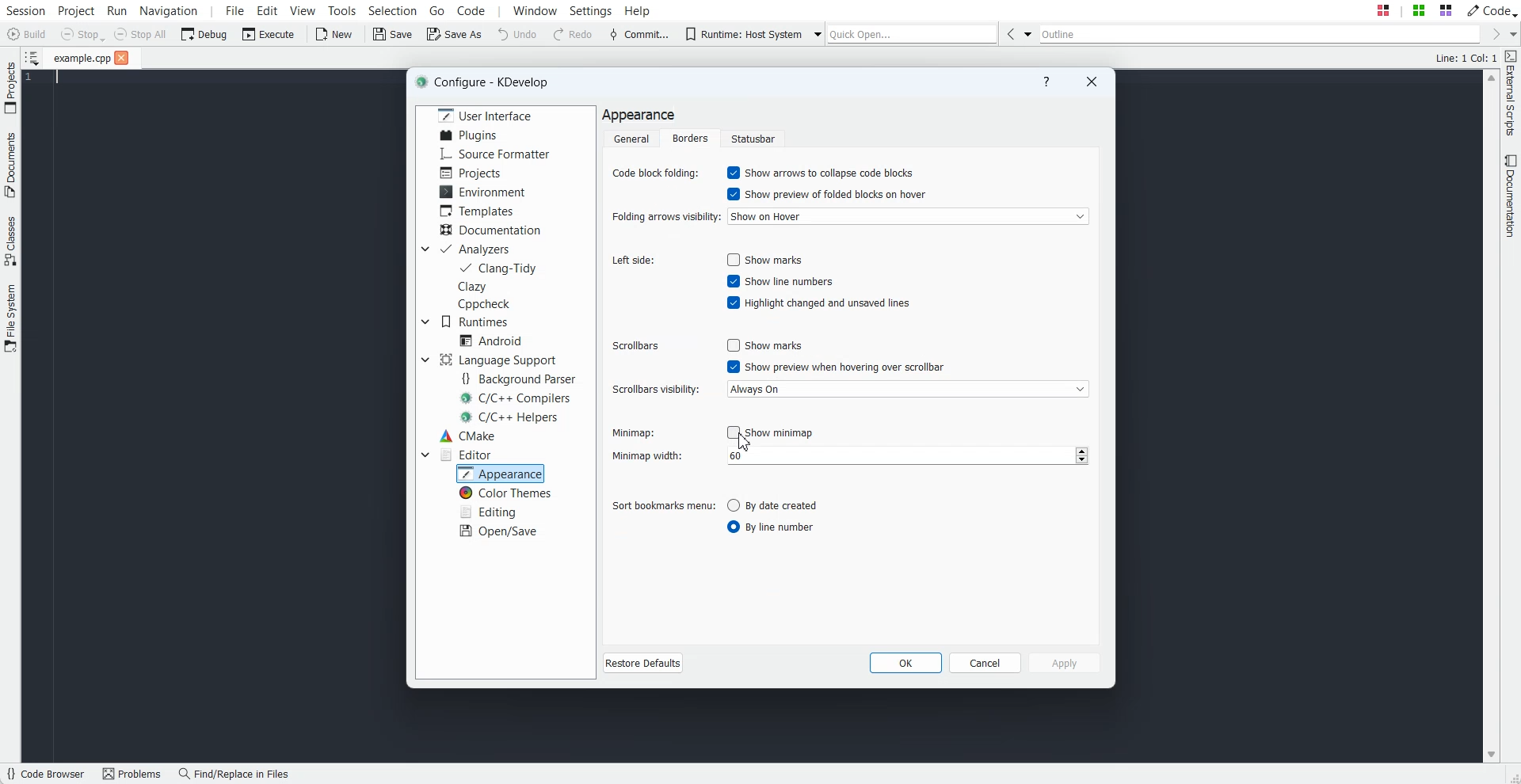 Image resolution: width=1521 pixels, height=784 pixels. What do you see at coordinates (663, 219) in the screenshot?
I see `Folding arrows visibility` at bounding box center [663, 219].